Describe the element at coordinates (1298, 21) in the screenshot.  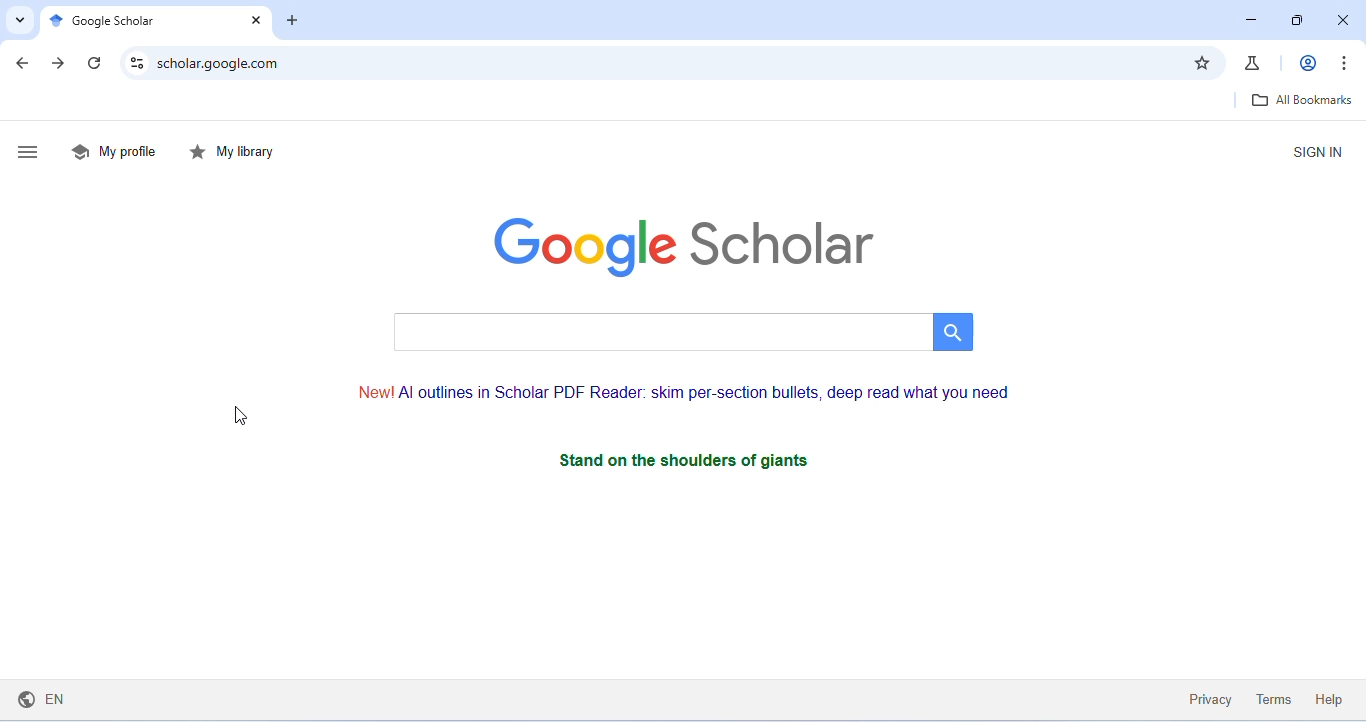
I see `maximize` at that location.